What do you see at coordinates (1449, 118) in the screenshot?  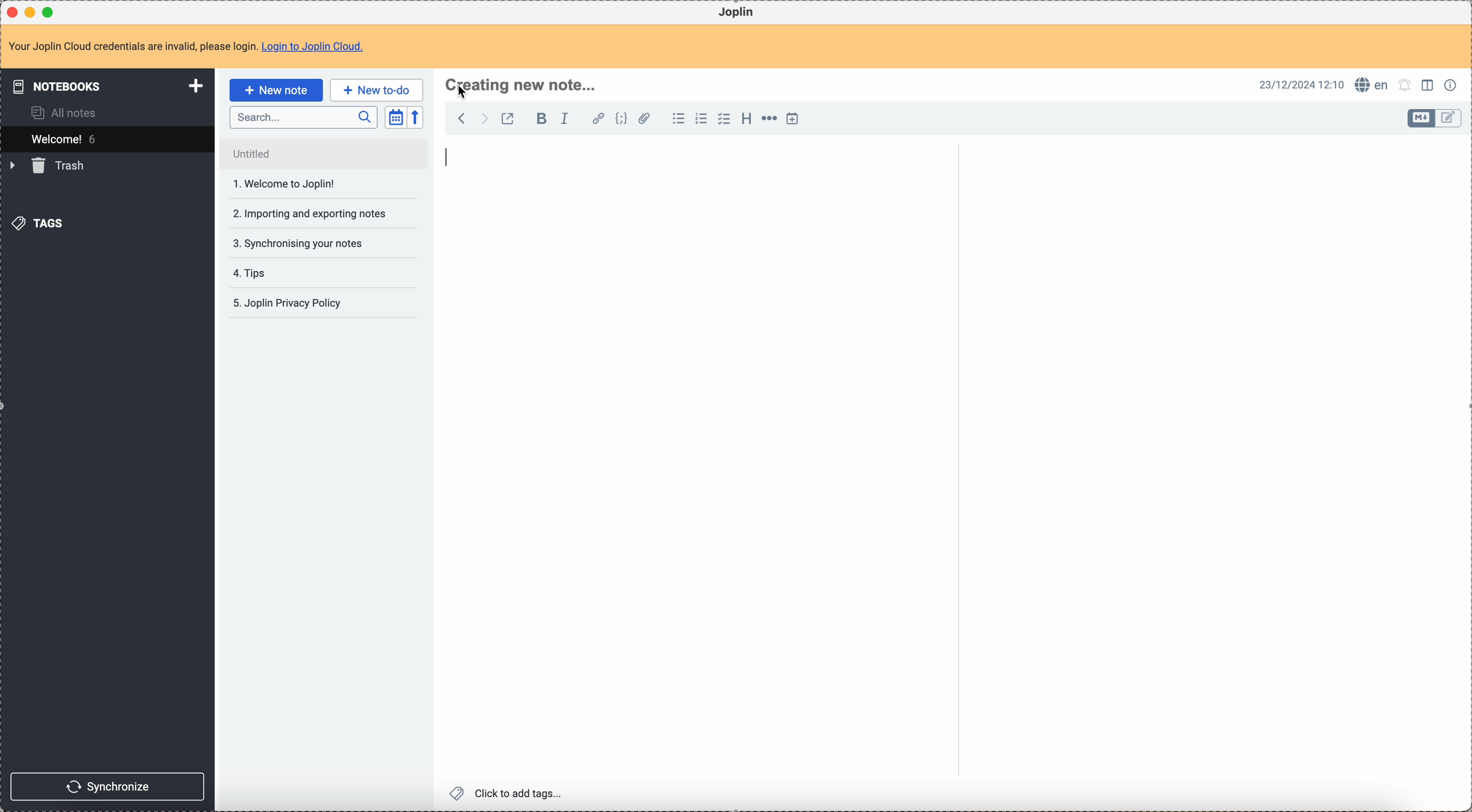 I see `toggle edit layout` at bounding box center [1449, 118].